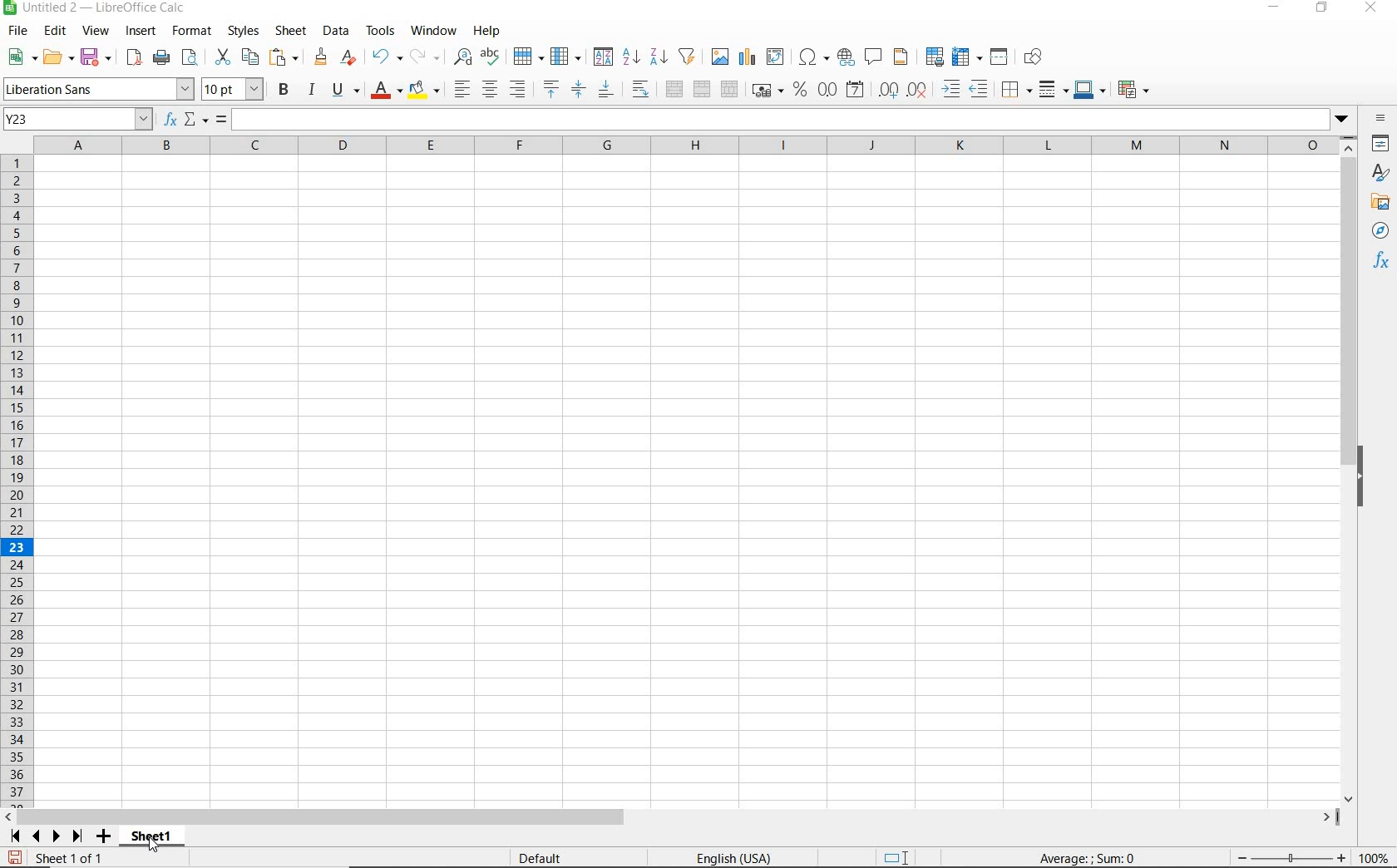 This screenshot has height=868, width=1397. I want to click on FORMAT, so click(190, 30).